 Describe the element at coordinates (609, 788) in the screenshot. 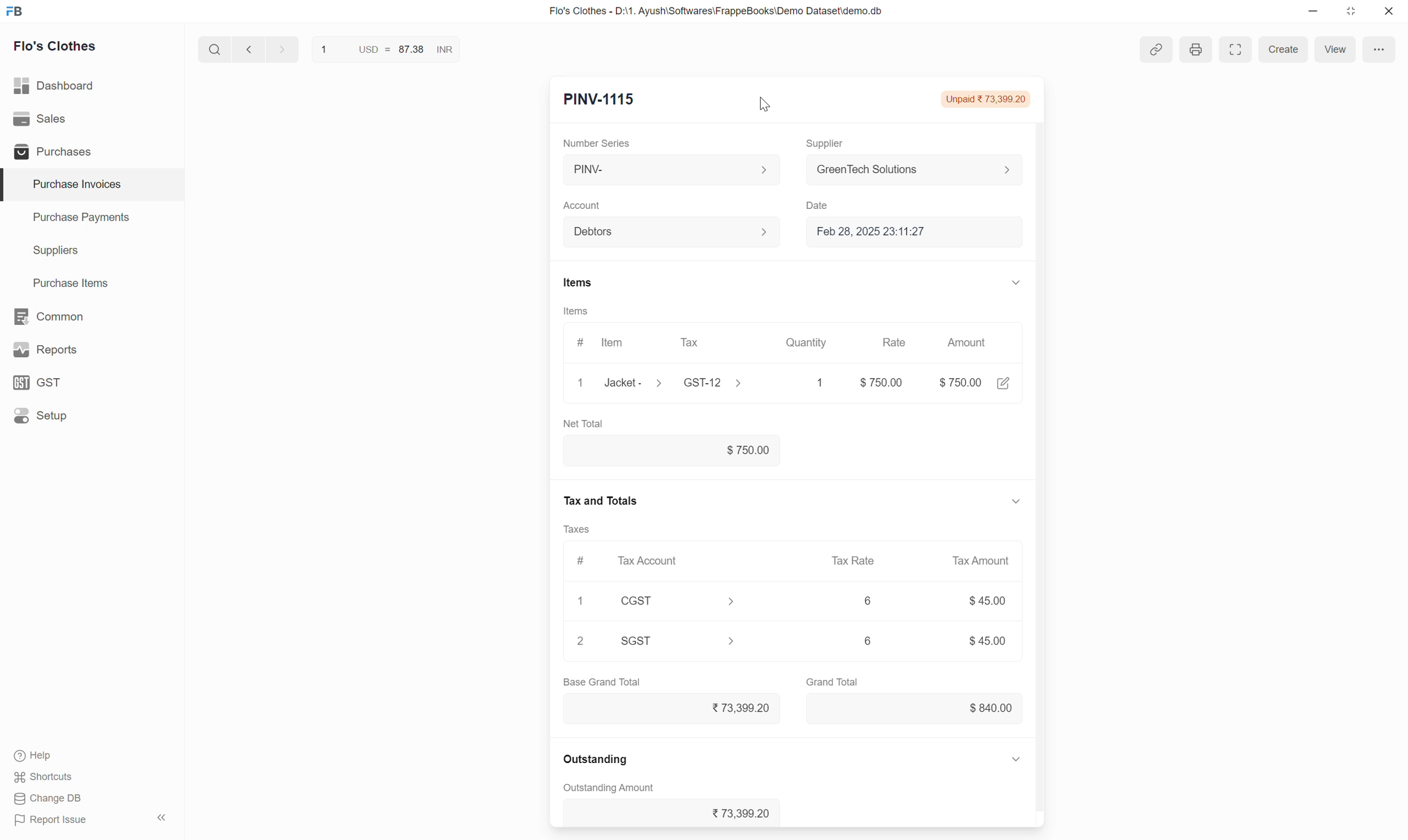

I see `Outstanding Amount` at that location.